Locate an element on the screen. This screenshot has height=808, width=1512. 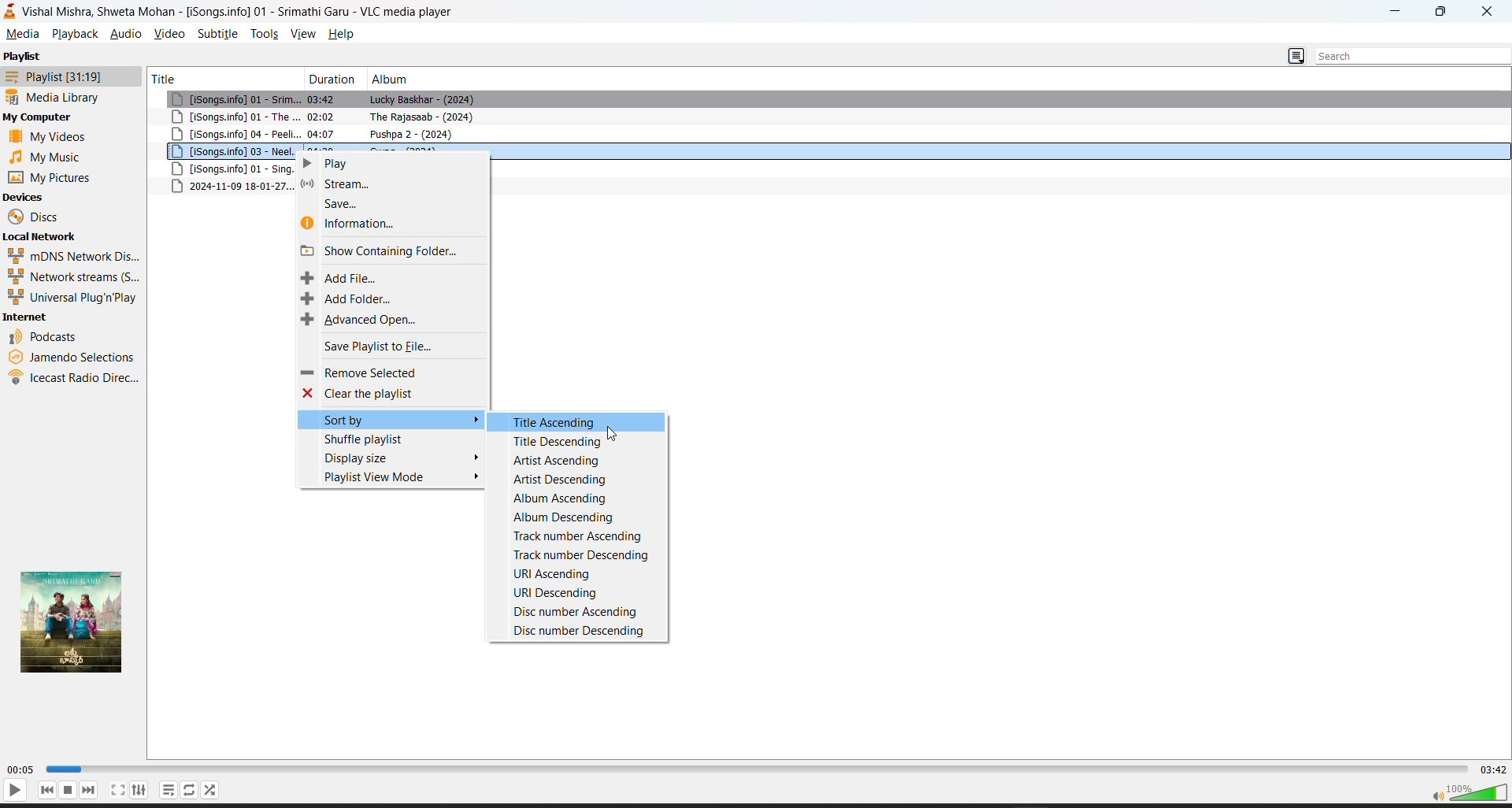
album descending is located at coordinates (580, 517).